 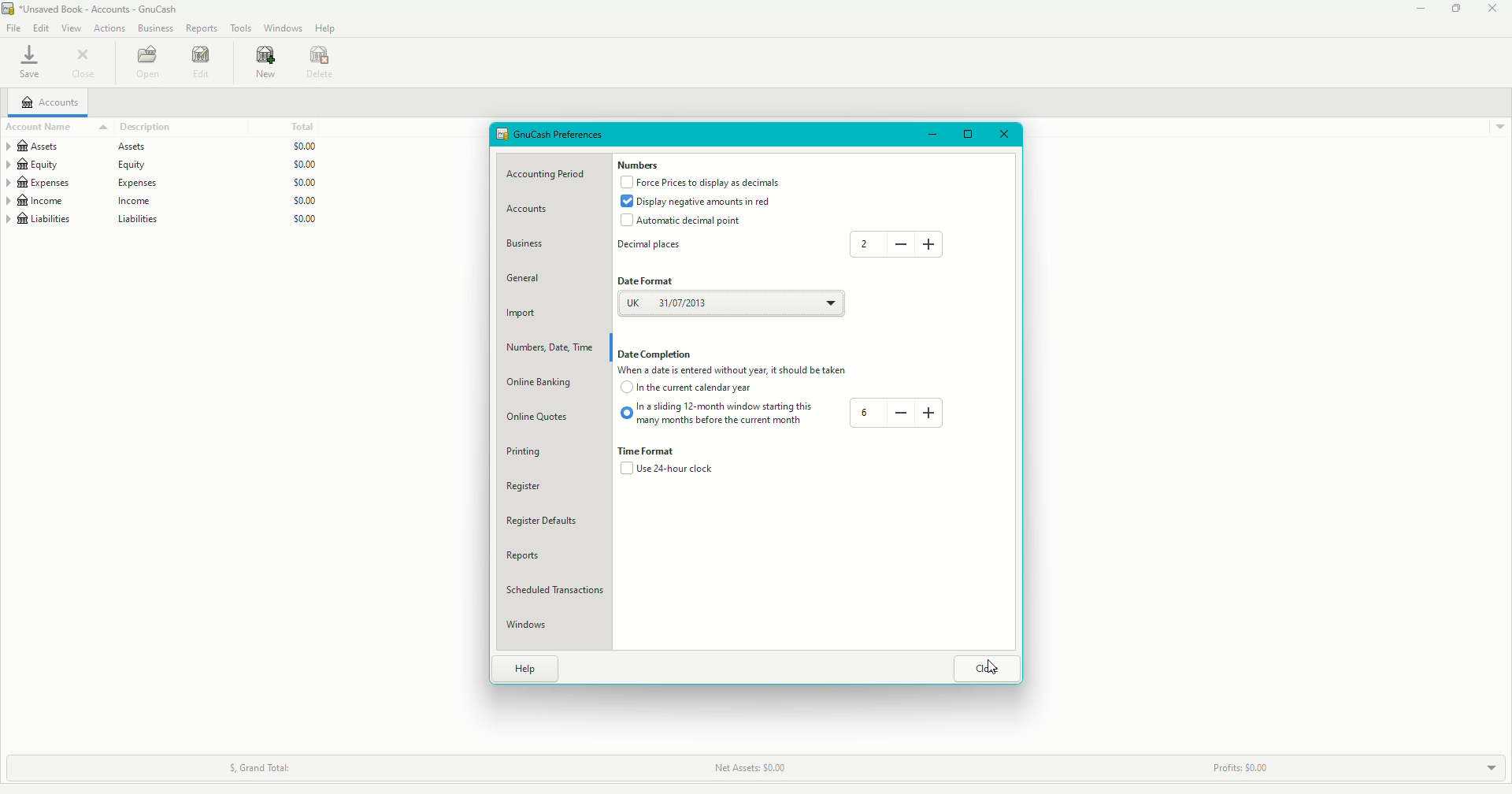 I want to click on View, so click(x=72, y=28).